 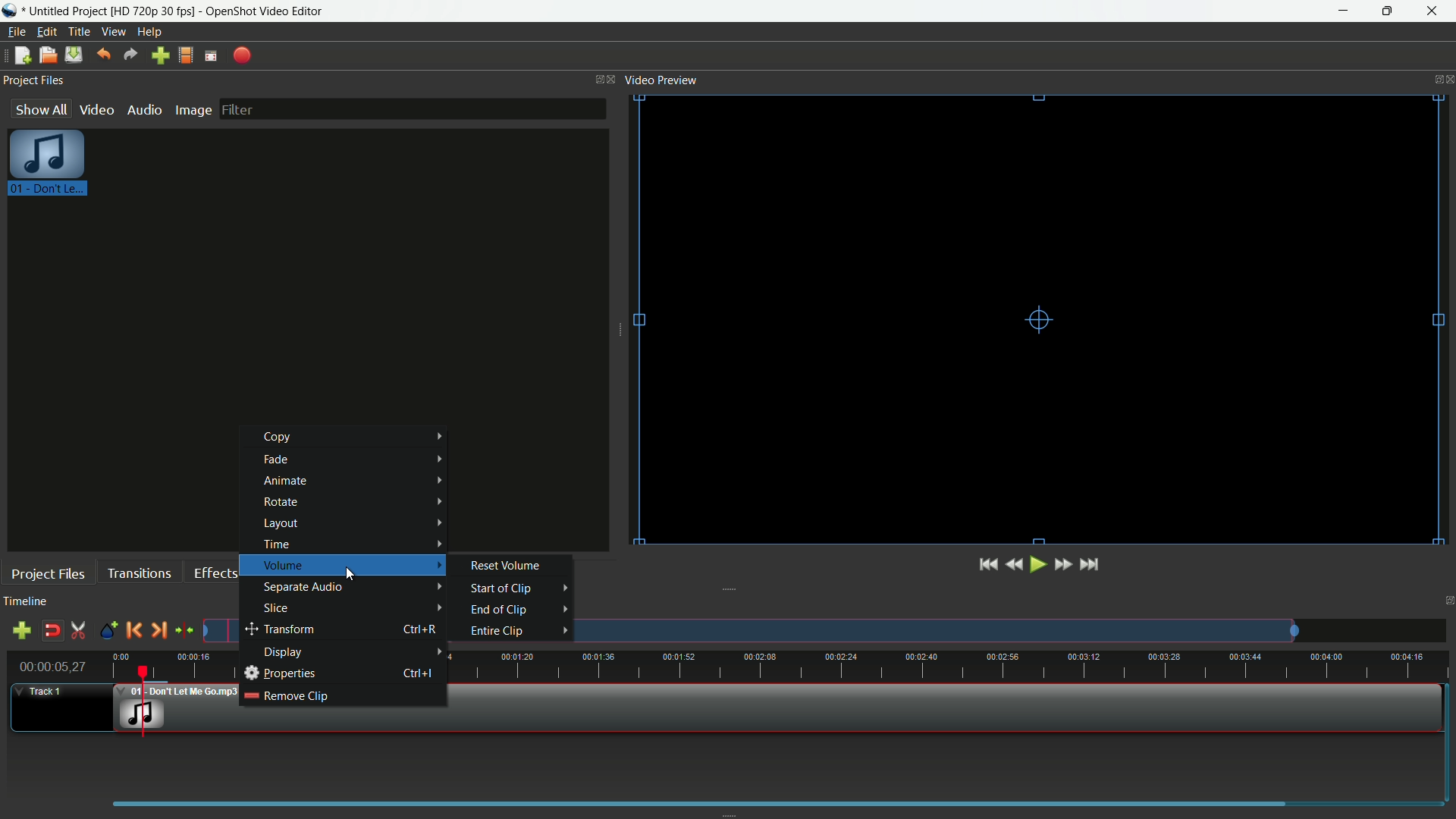 What do you see at coordinates (130, 55) in the screenshot?
I see `redo` at bounding box center [130, 55].